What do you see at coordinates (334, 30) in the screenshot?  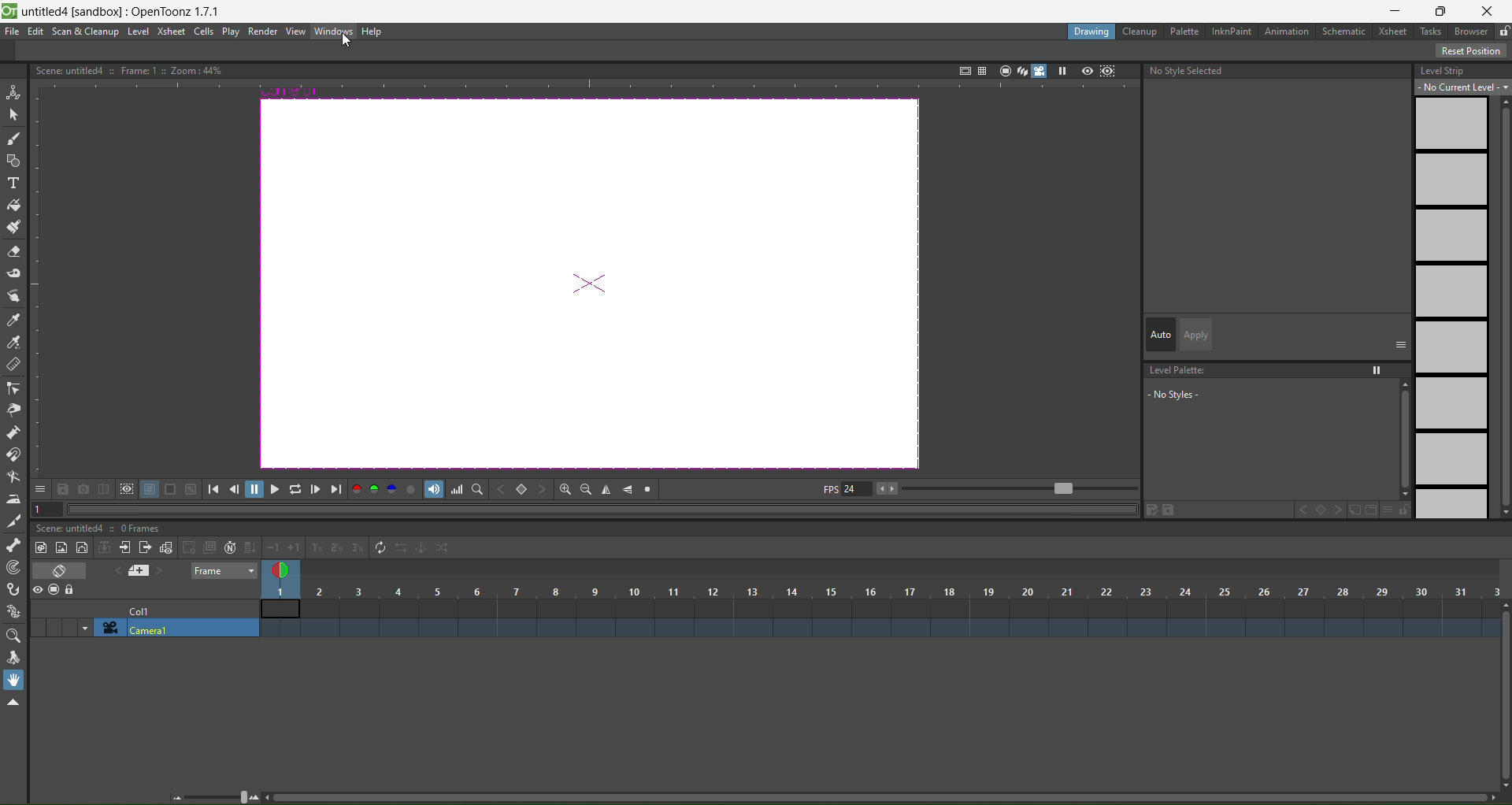 I see `windows` at bounding box center [334, 30].